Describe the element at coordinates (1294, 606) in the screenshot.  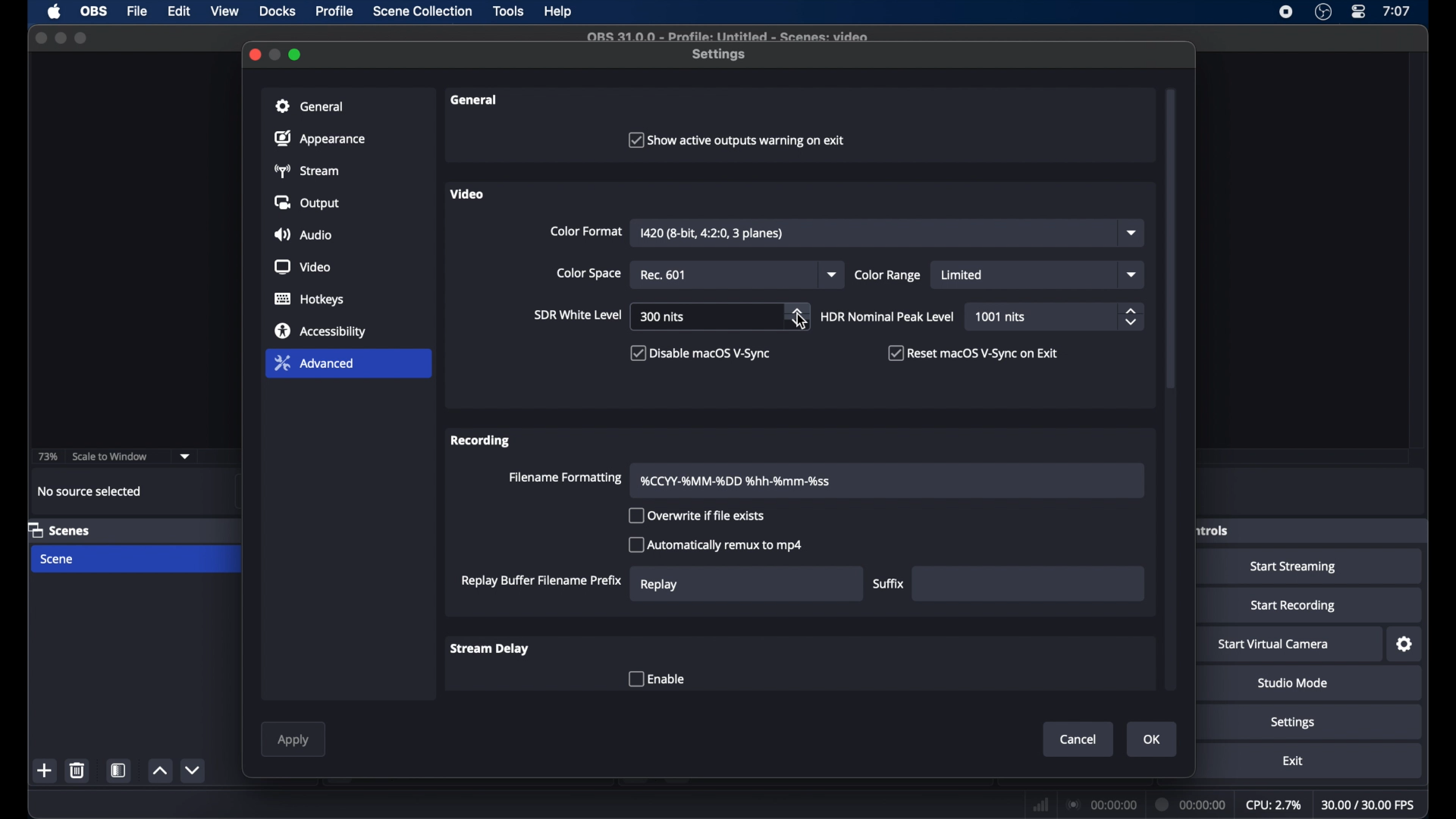
I see `start recording` at that location.